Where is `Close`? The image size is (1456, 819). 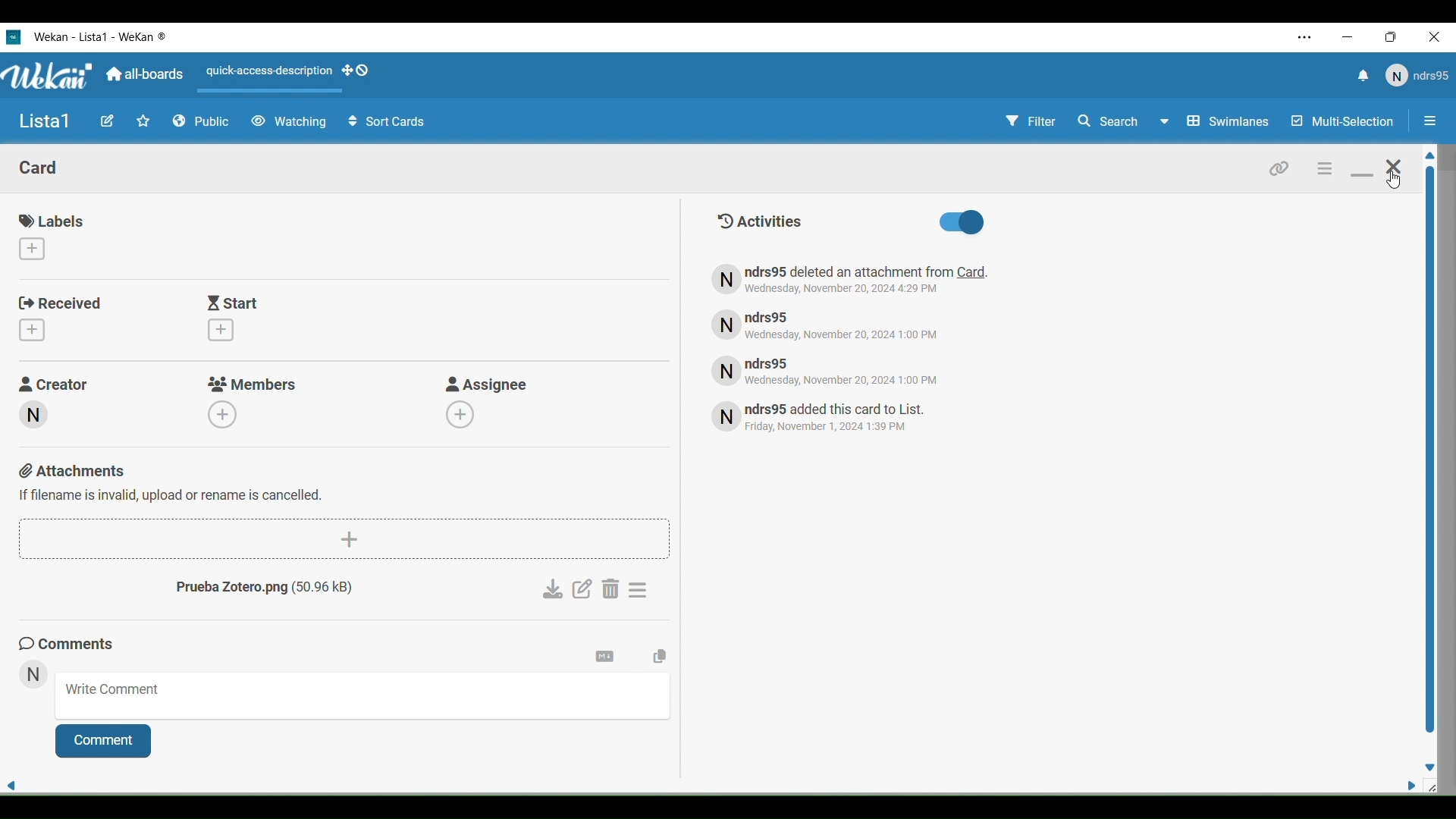 Close is located at coordinates (1438, 38).